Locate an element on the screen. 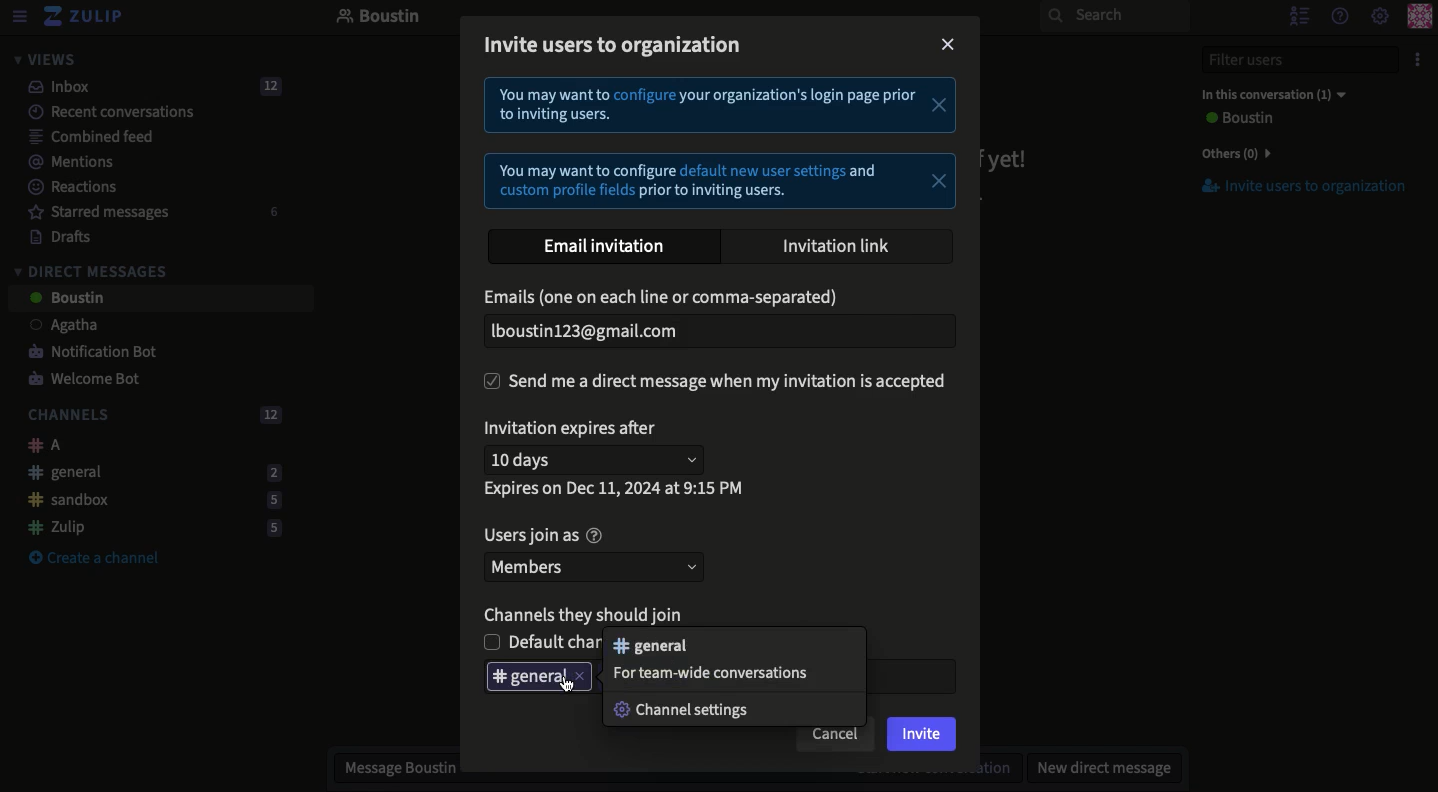  Inbox is located at coordinates (146, 87).